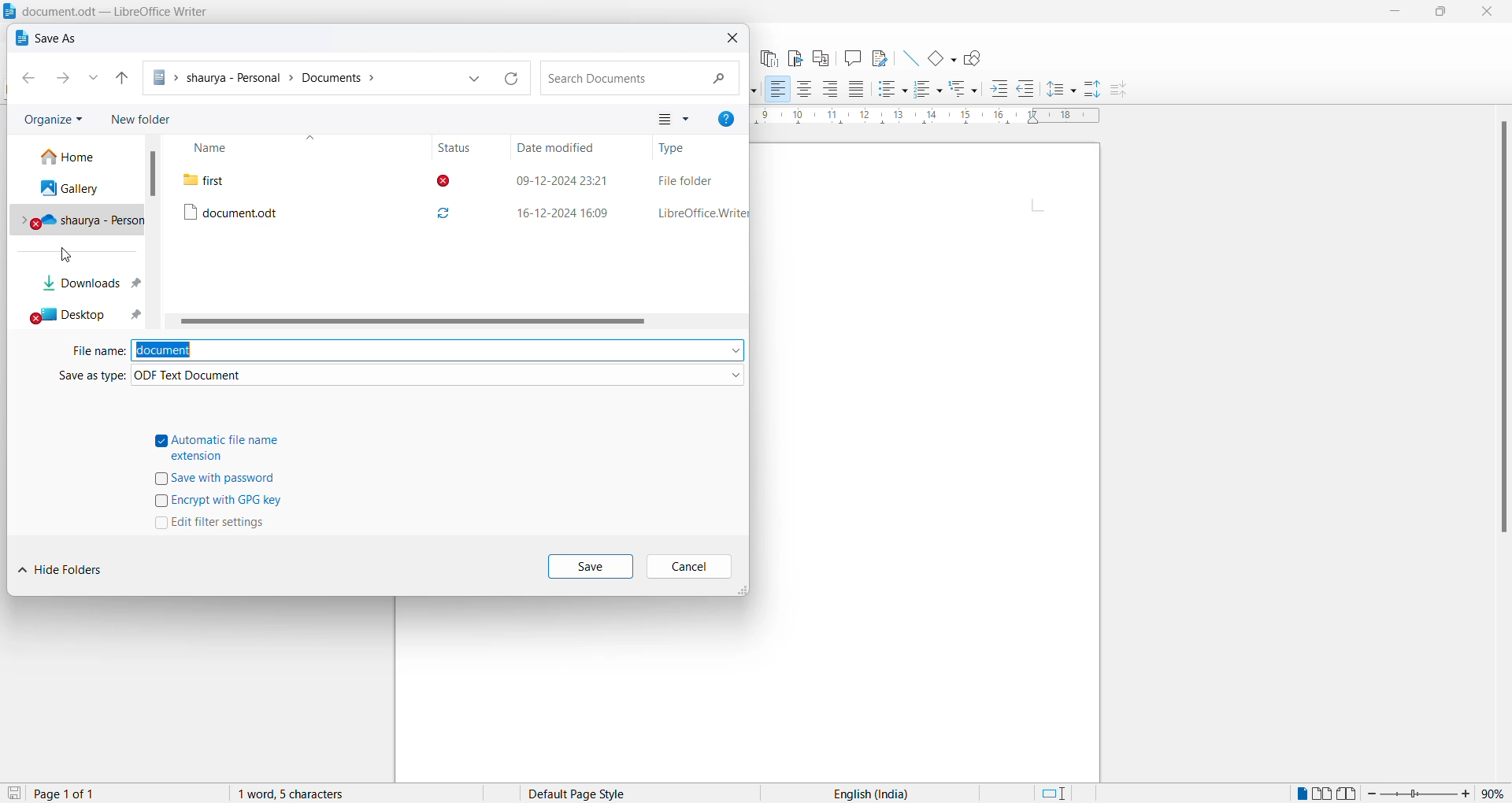 The width and height of the screenshot is (1512, 803). I want to click on Refresh , so click(512, 77).